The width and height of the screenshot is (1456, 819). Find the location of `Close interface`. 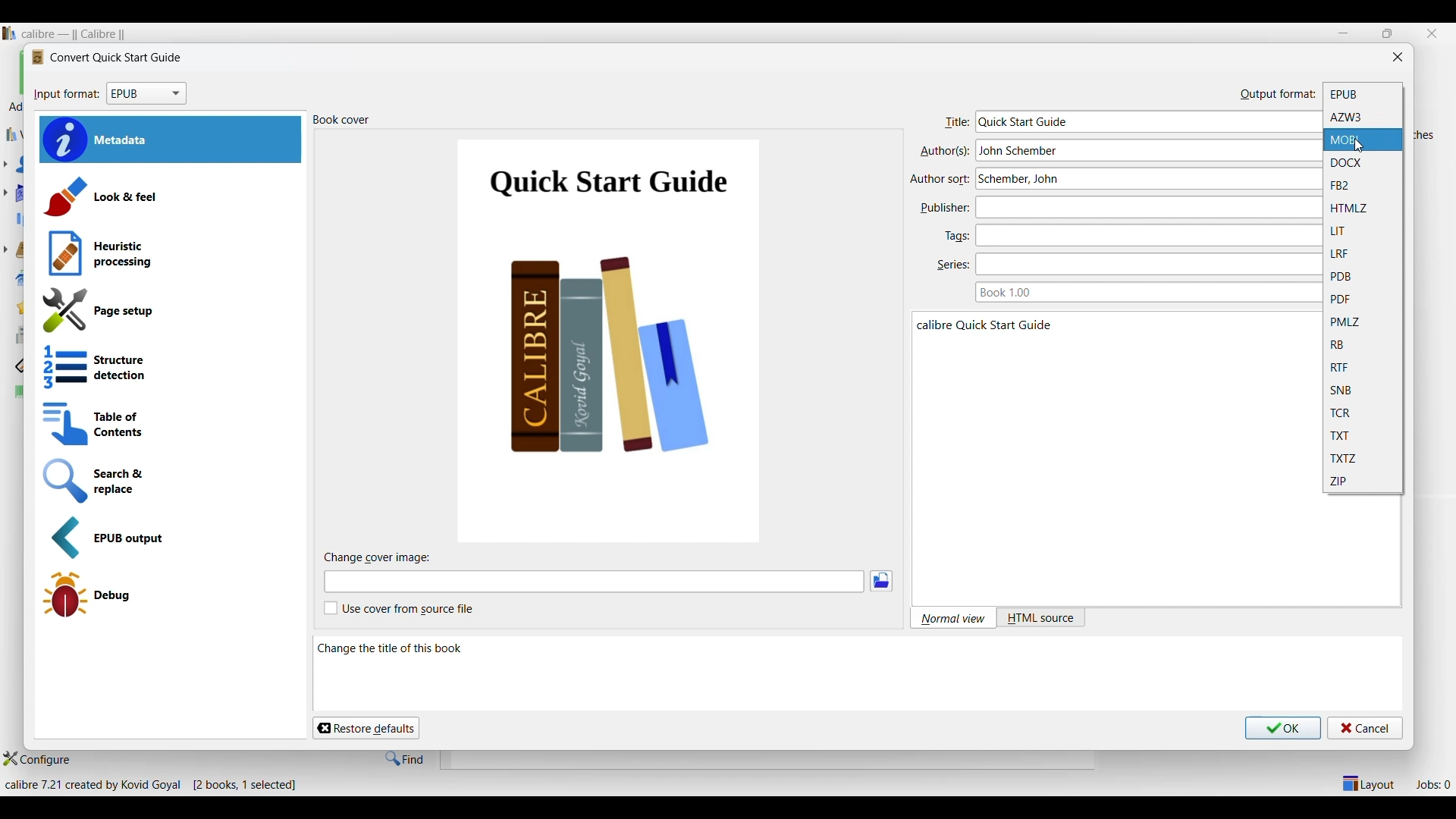

Close interface is located at coordinates (1432, 33).